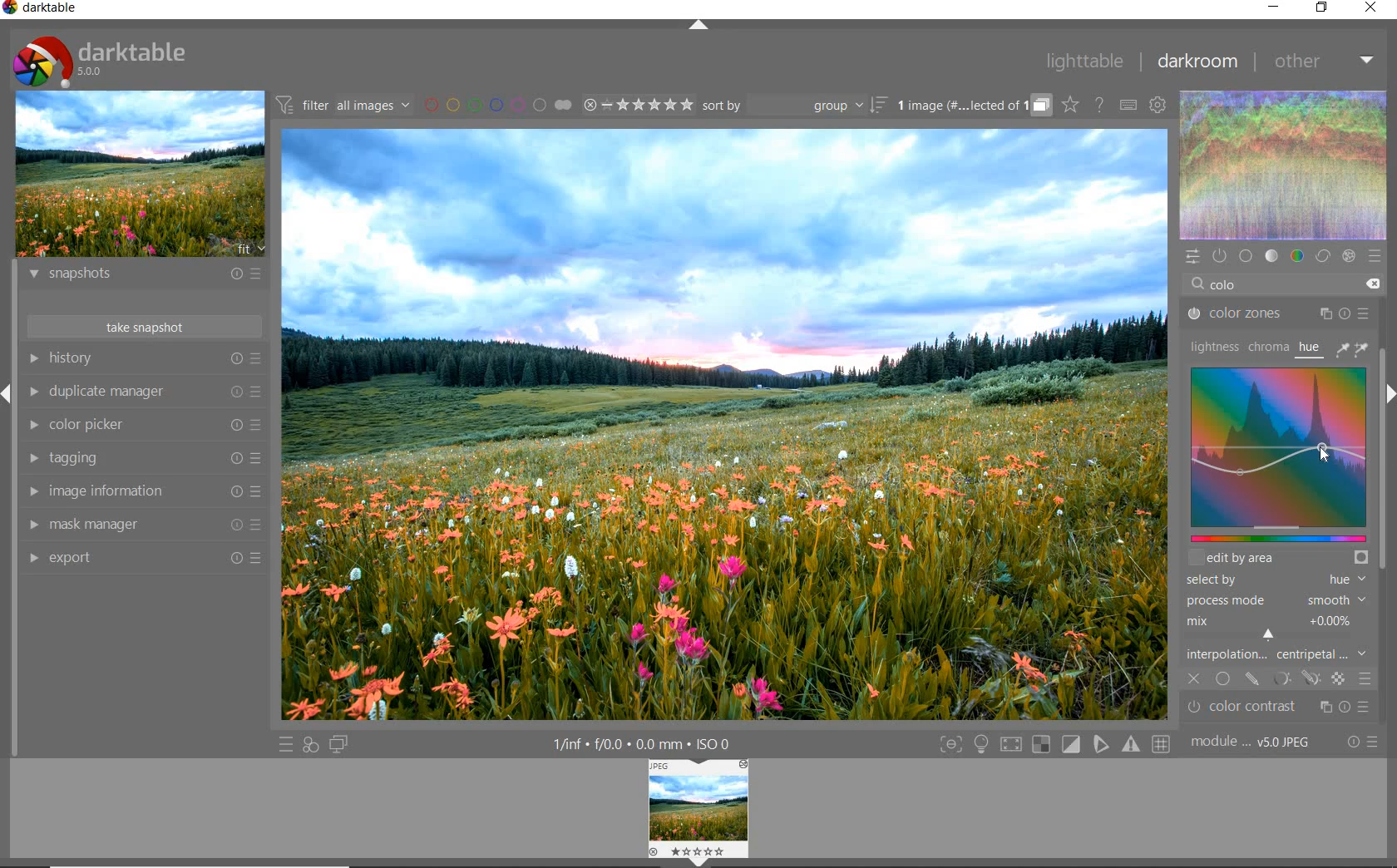 Image resolution: width=1397 pixels, height=868 pixels. Describe the element at coordinates (144, 424) in the screenshot. I see `color picker` at that location.